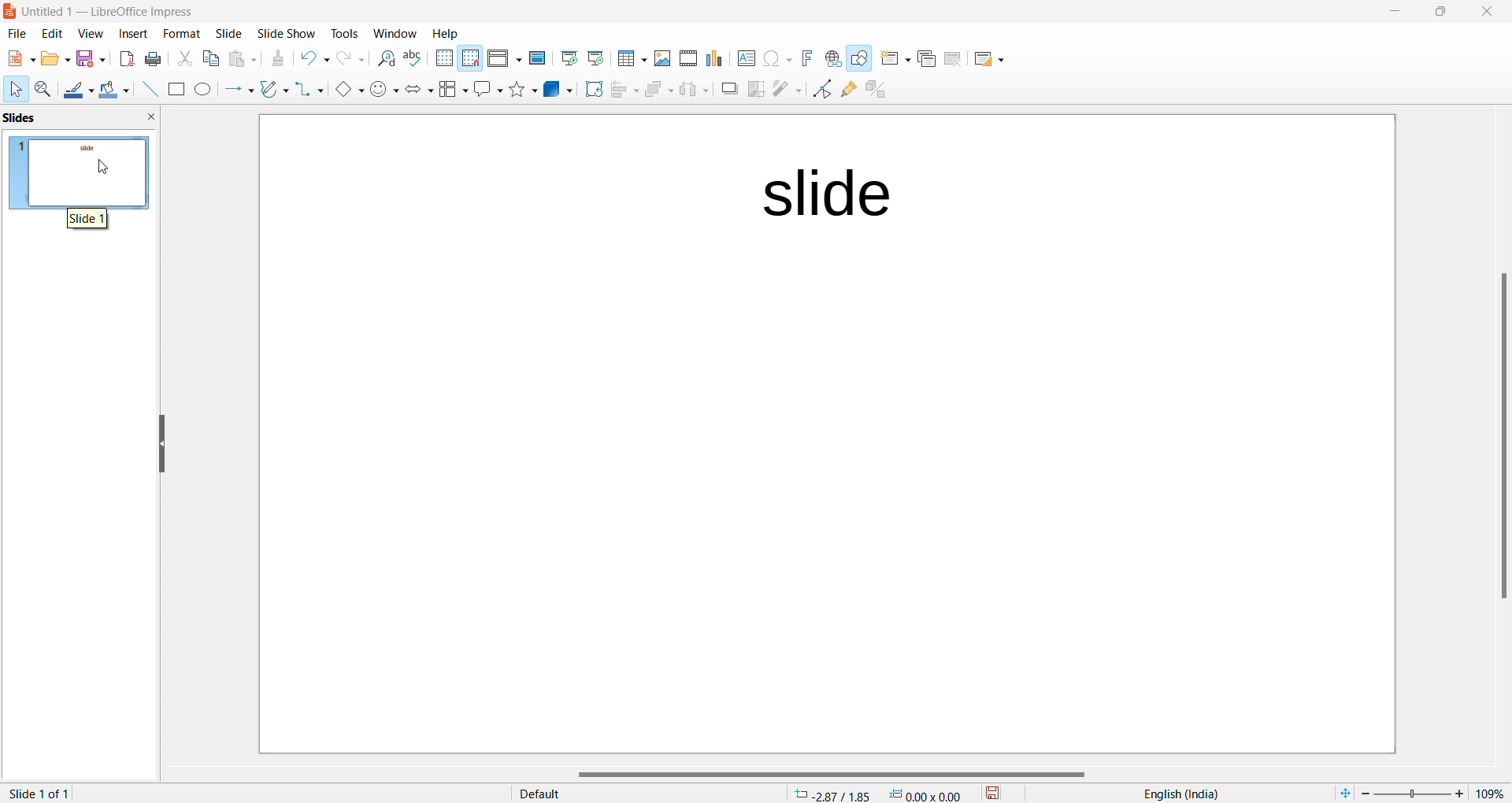  I want to click on Align, so click(621, 91).